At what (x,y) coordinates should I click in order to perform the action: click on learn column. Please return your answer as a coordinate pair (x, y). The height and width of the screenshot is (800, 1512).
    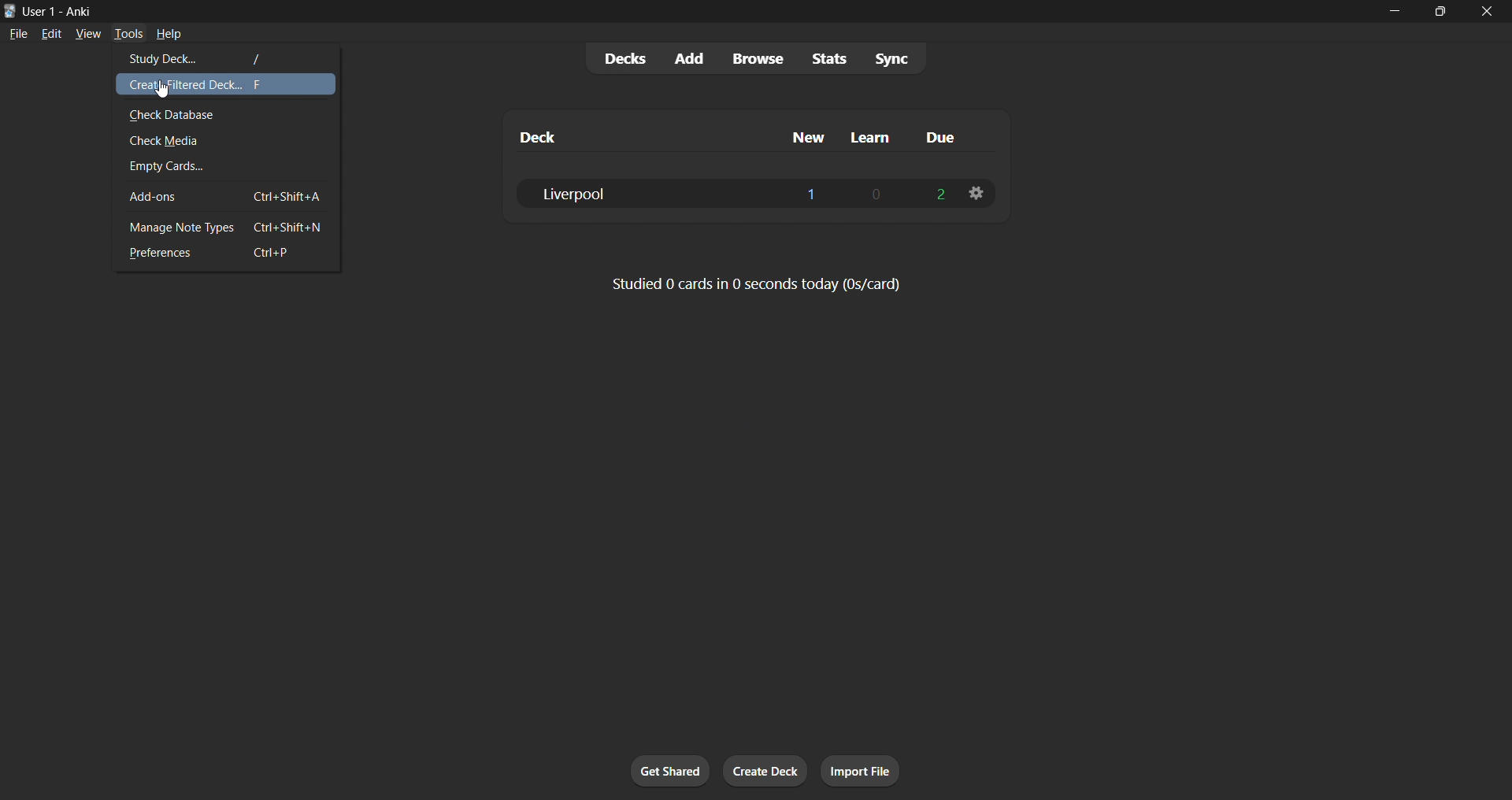
    Looking at the image, I should click on (879, 139).